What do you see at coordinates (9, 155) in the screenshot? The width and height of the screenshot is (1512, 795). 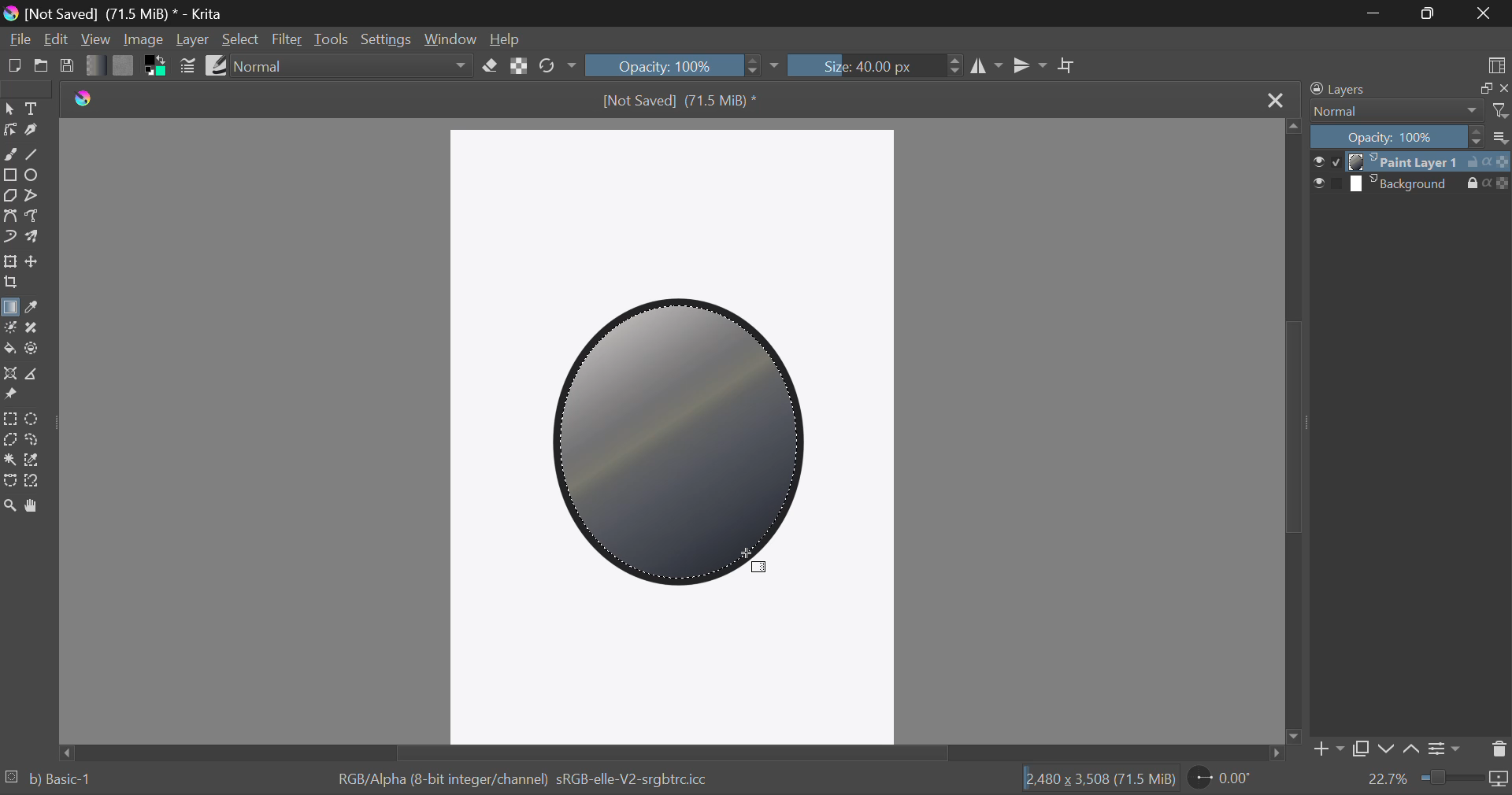 I see `Freehand` at bounding box center [9, 155].